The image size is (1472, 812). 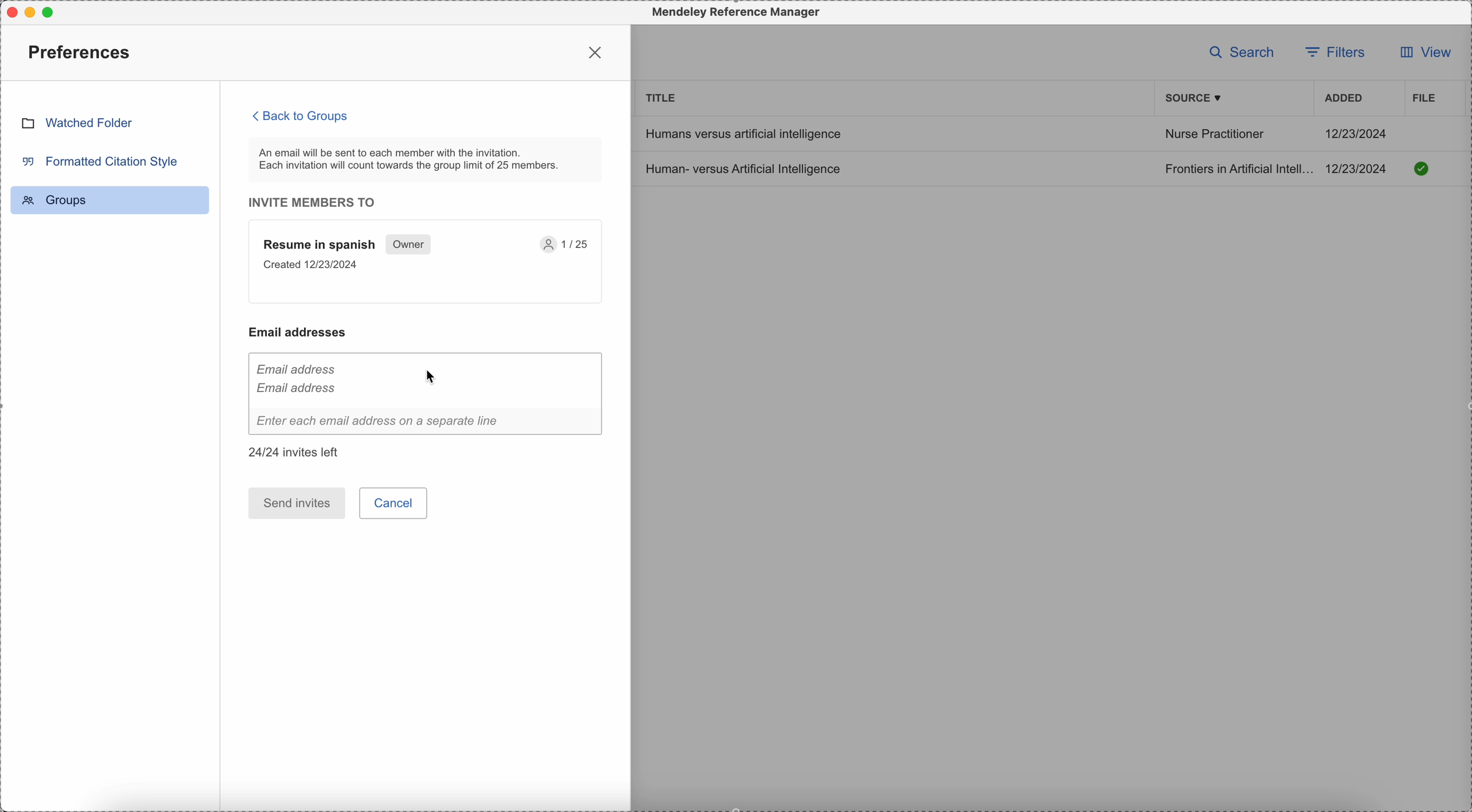 I want to click on email addresses, so click(x=303, y=332).